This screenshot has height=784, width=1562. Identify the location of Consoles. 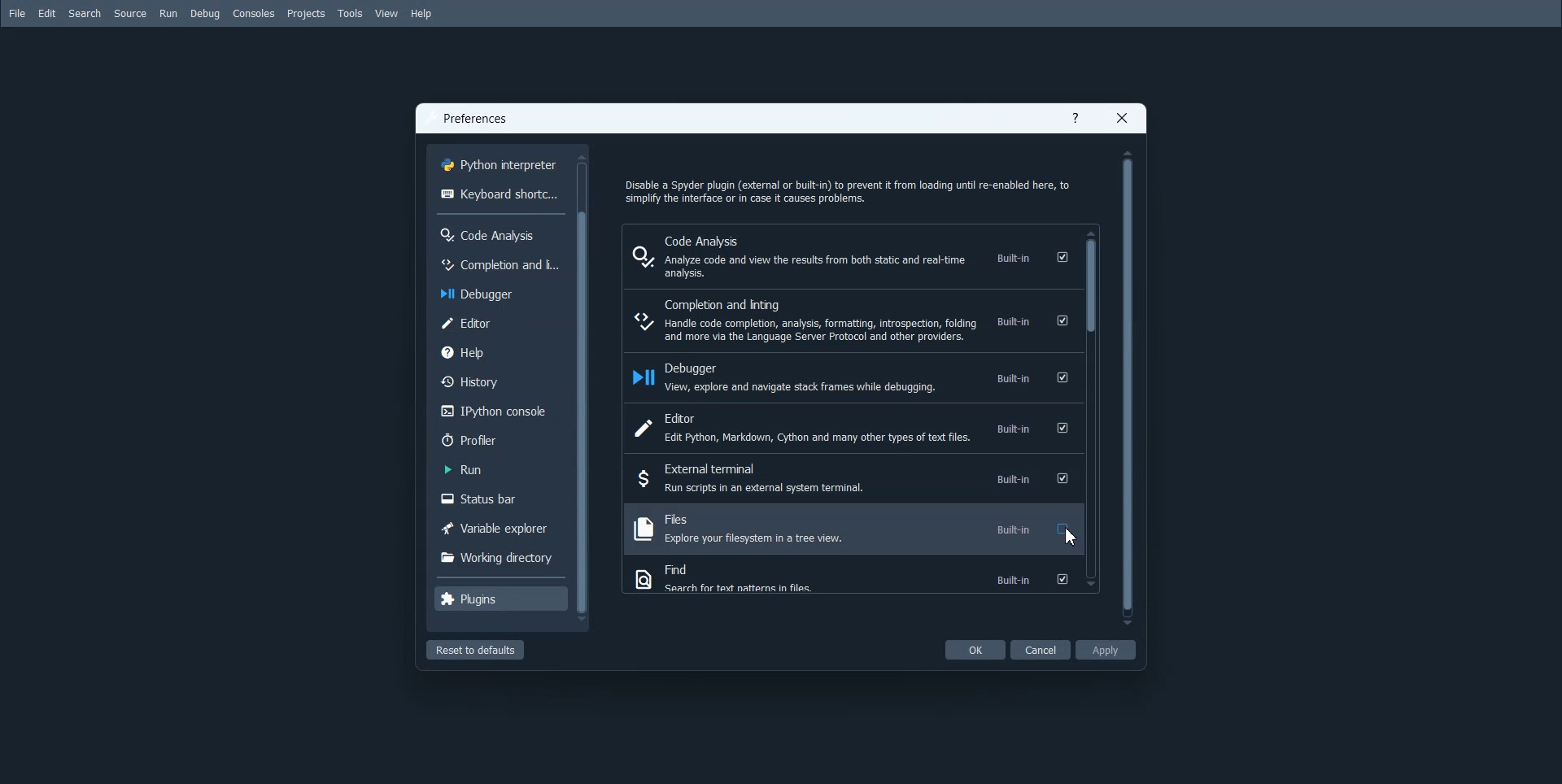
(253, 14).